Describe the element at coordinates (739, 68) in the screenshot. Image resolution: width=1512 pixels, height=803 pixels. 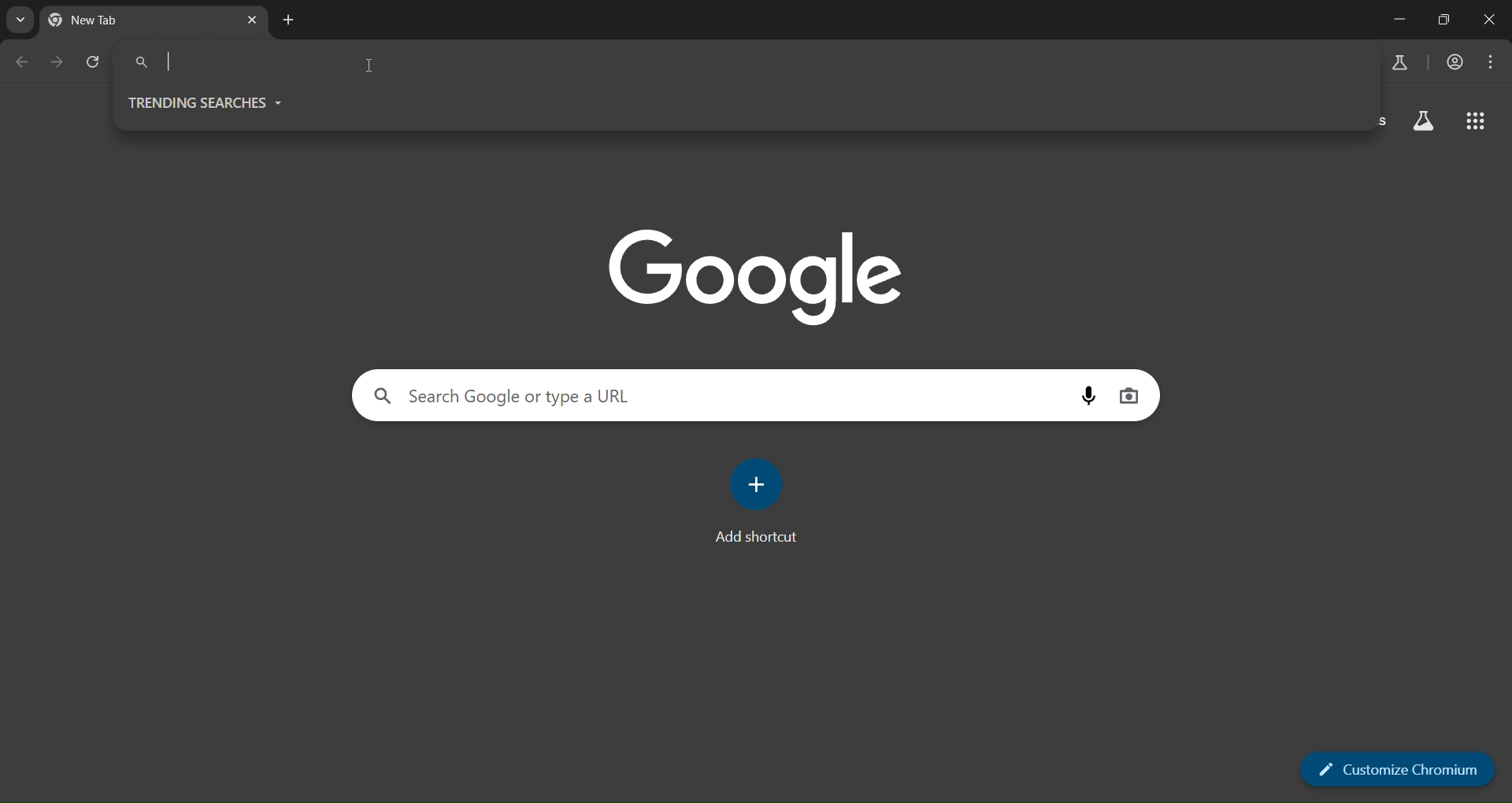
I see `search panel` at that location.